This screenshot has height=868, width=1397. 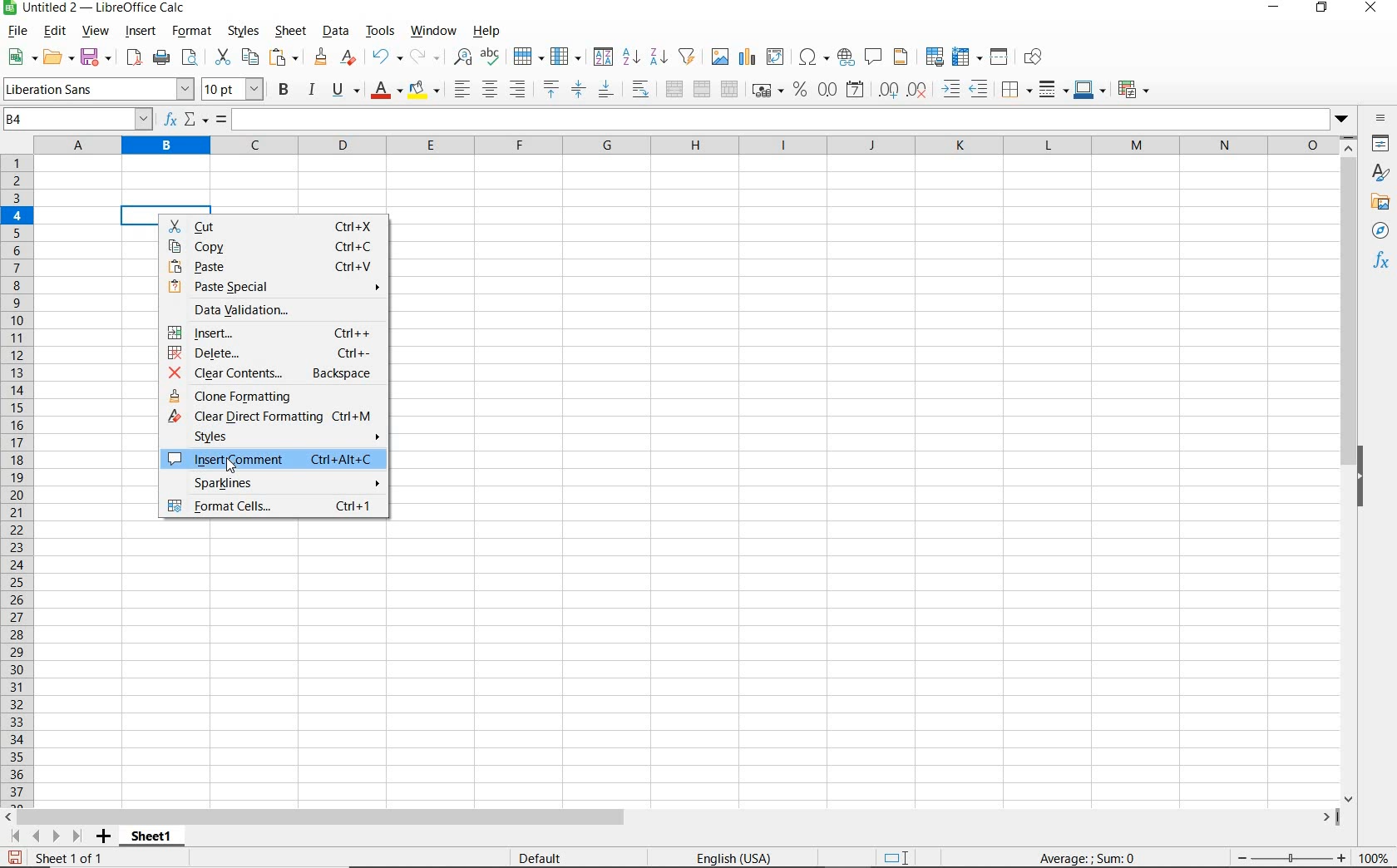 What do you see at coordinates (747, 58) in the screenshot?
I see `insert chart` at bounding box center [747, 58].